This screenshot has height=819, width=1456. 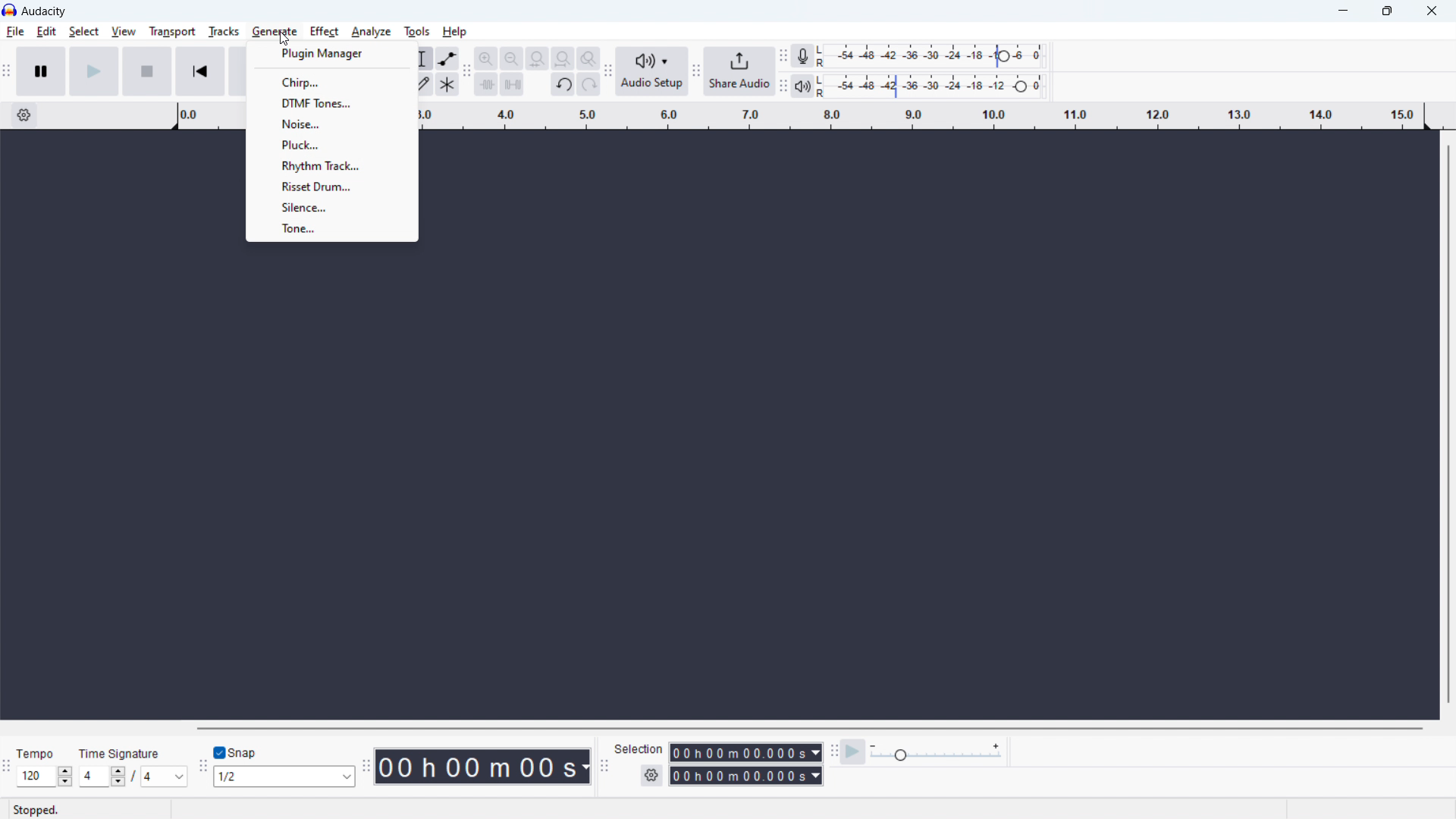 What do you see at coordinates (589, 84) in the screenshot?
I see `redo` at bounding box center [589, 84].